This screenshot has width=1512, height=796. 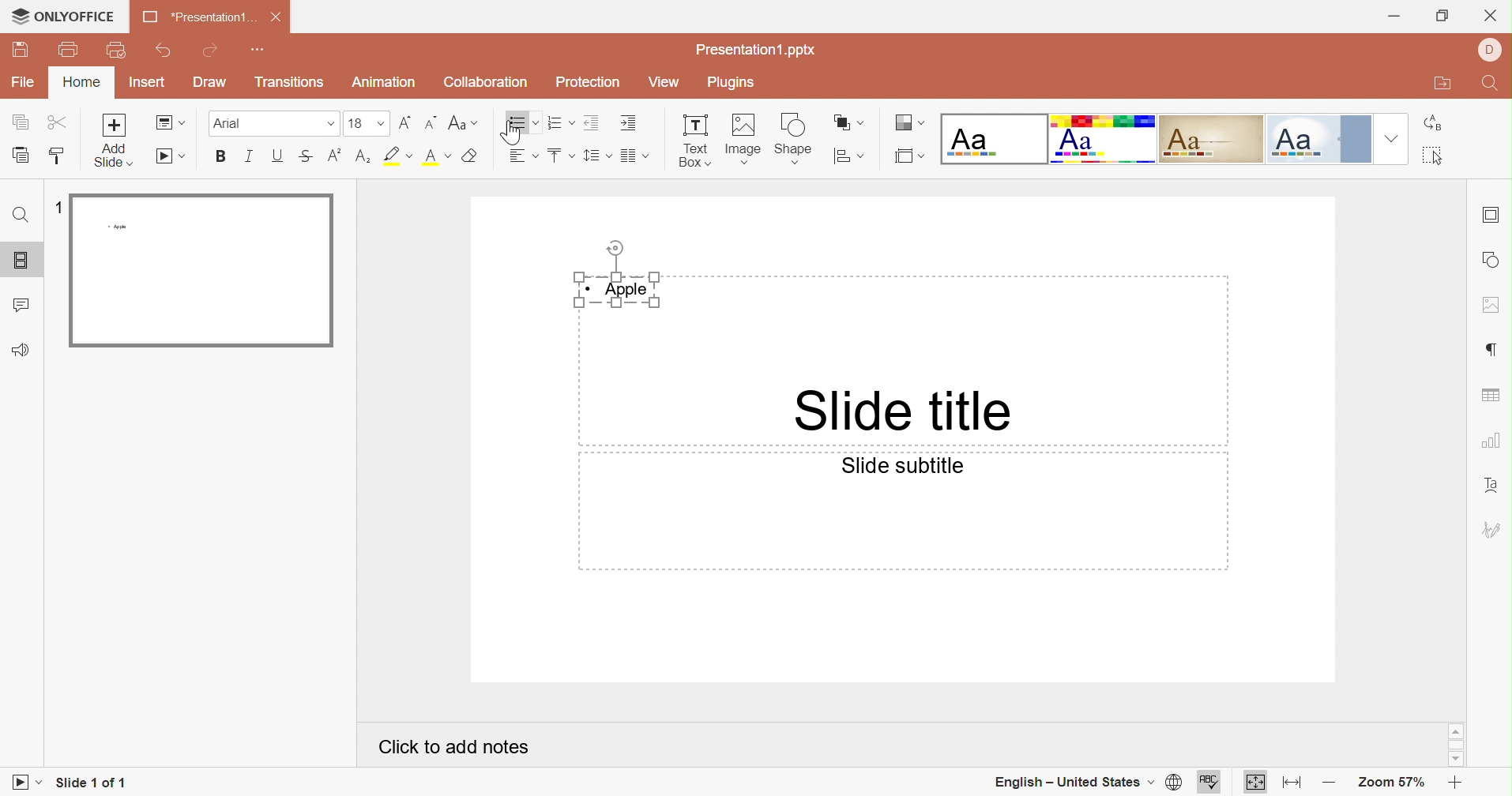 I want to click on cursor, so click(x=17, y=15).